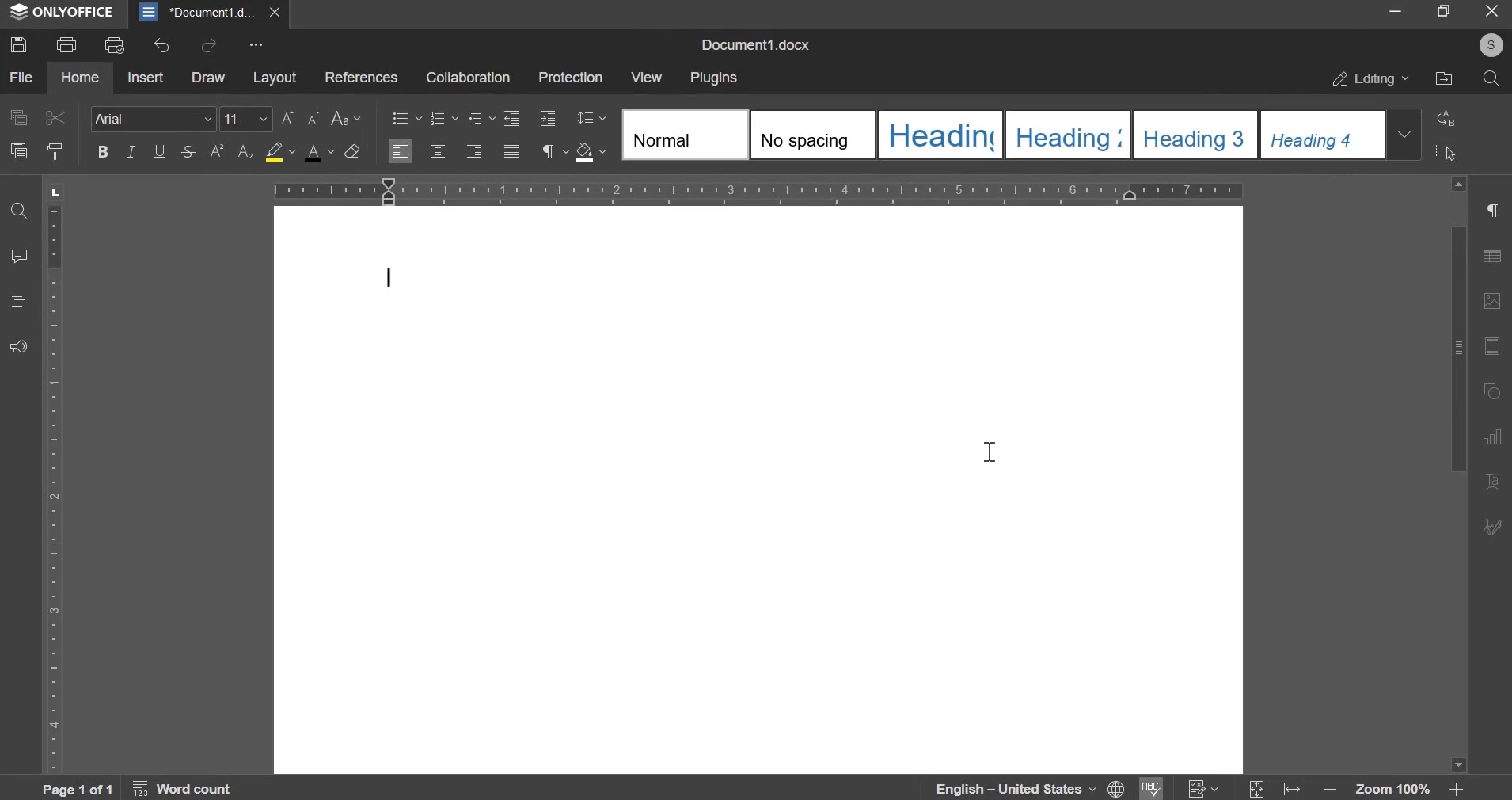  Describe the element at coordinates (259, 48) in the screenshot. I see `more` at that location.